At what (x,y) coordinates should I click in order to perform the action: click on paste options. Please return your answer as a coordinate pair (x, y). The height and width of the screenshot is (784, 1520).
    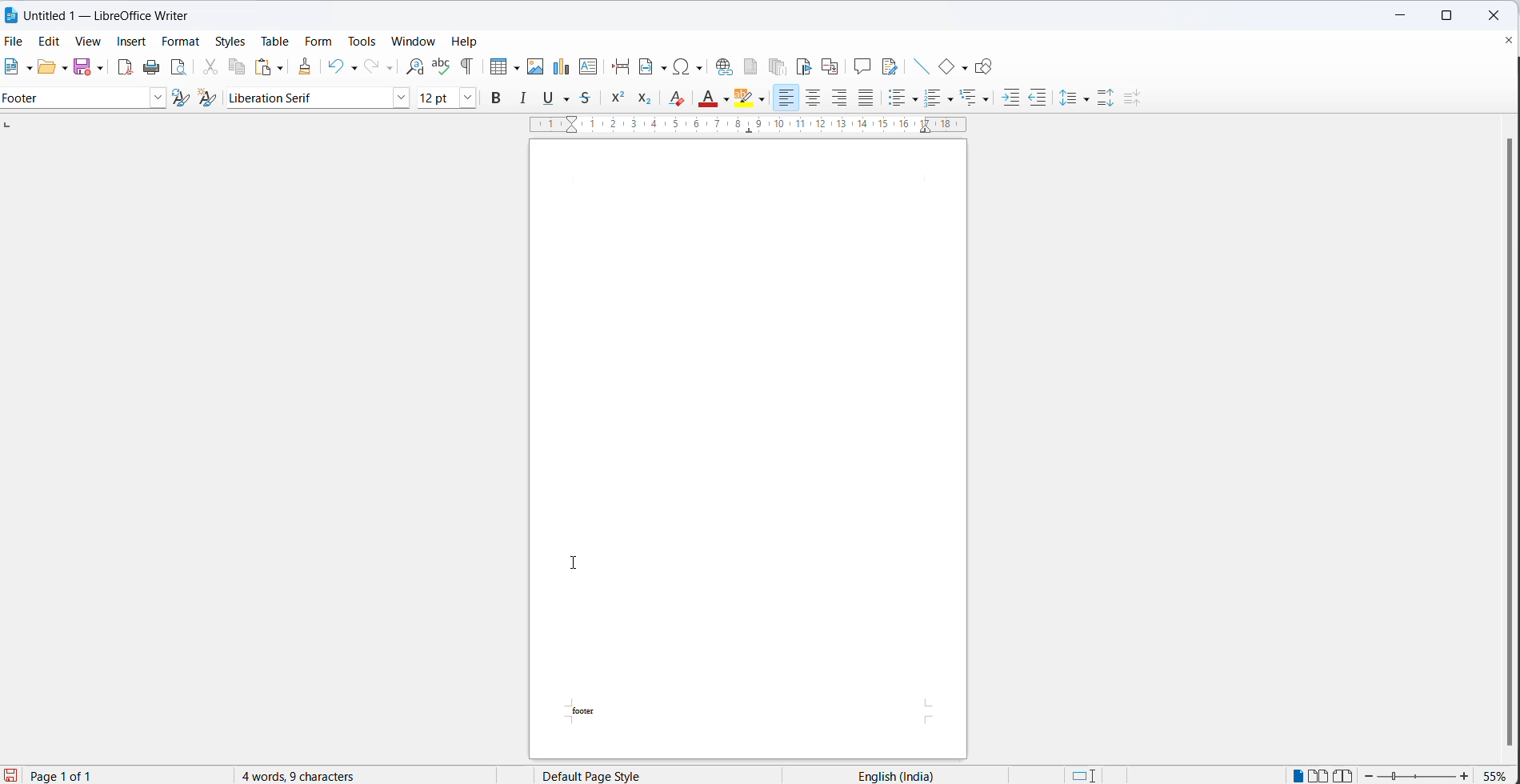
    Looking at the image, I should click on (262, 66).